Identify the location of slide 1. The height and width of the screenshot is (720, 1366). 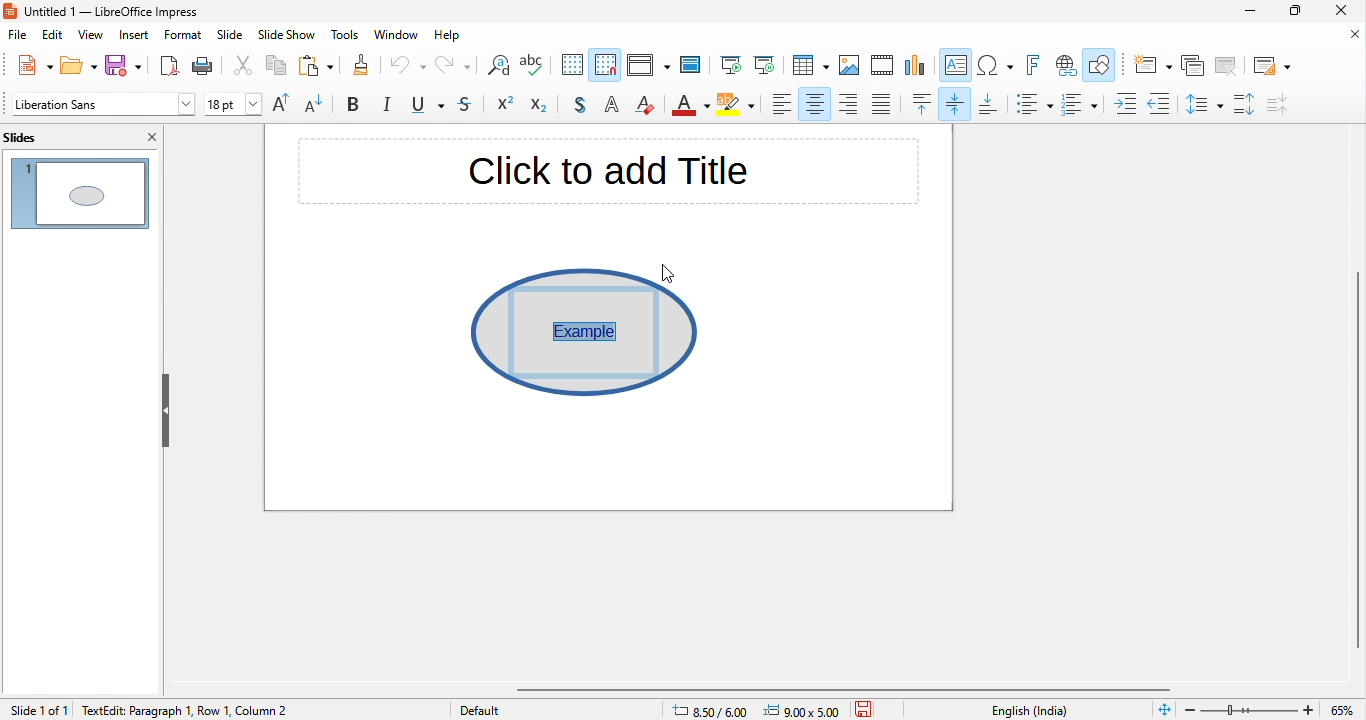
(80, 191).